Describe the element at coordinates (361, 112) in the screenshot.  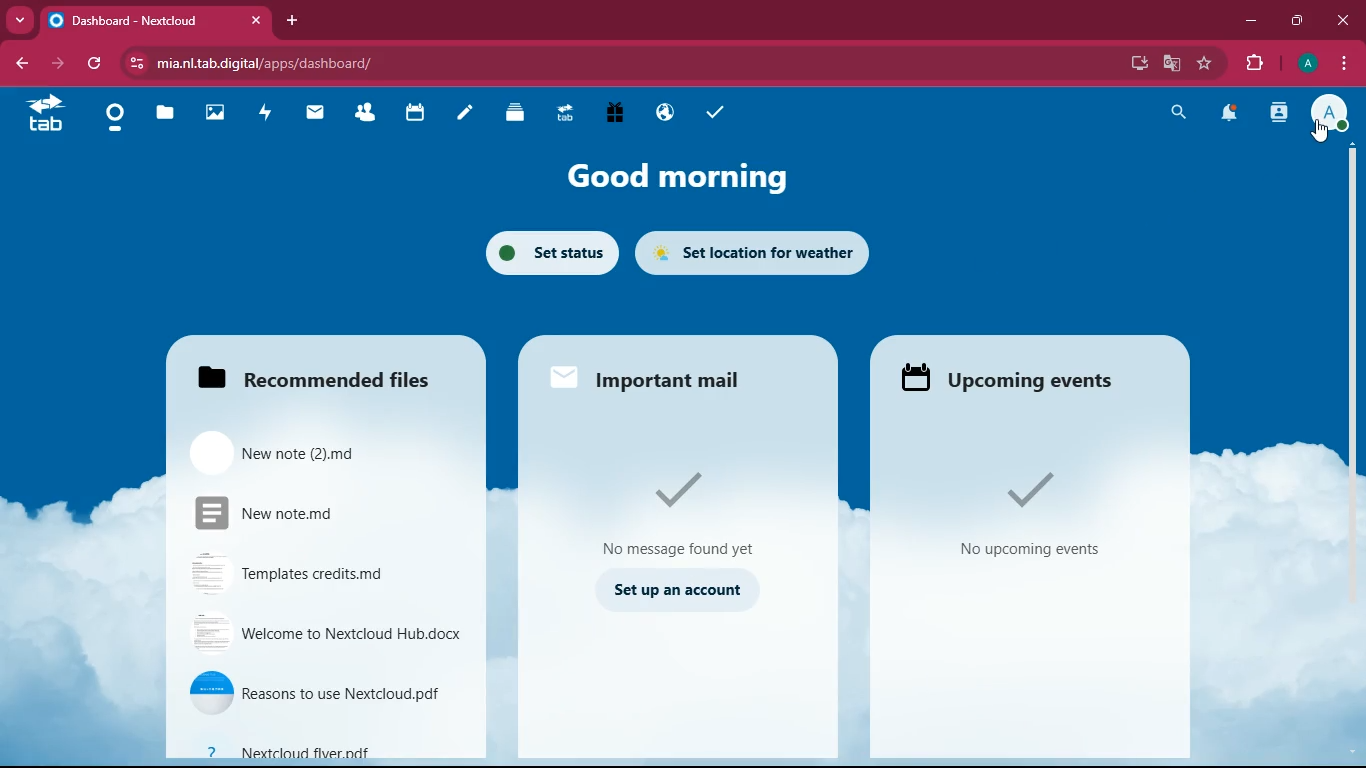
I see `friends` at that location.